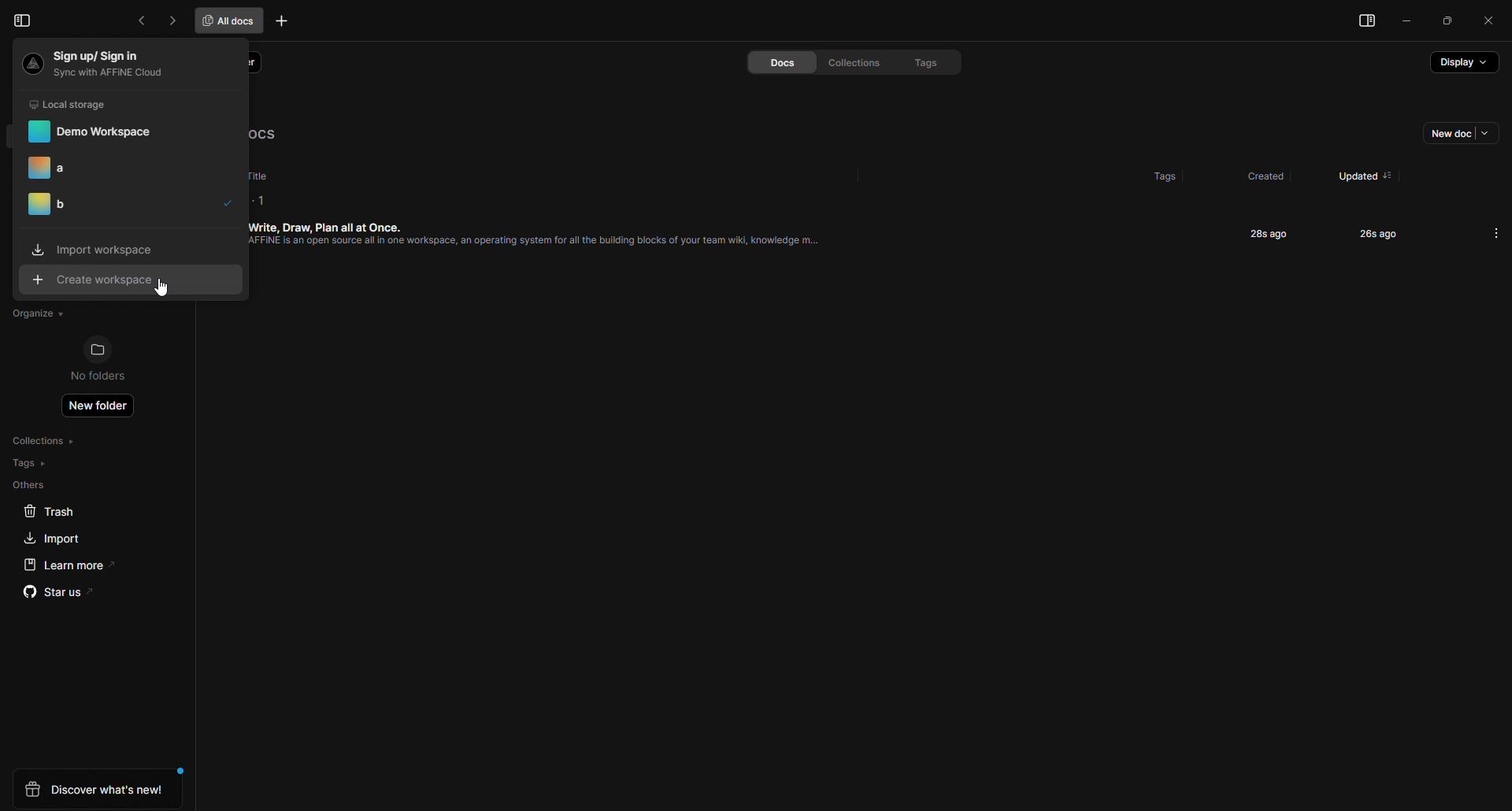 The height and width of the screenshot is (811, 1512). Describe the element at coordinates (107, 361) in the screenshot. I see `no flders` at that location.